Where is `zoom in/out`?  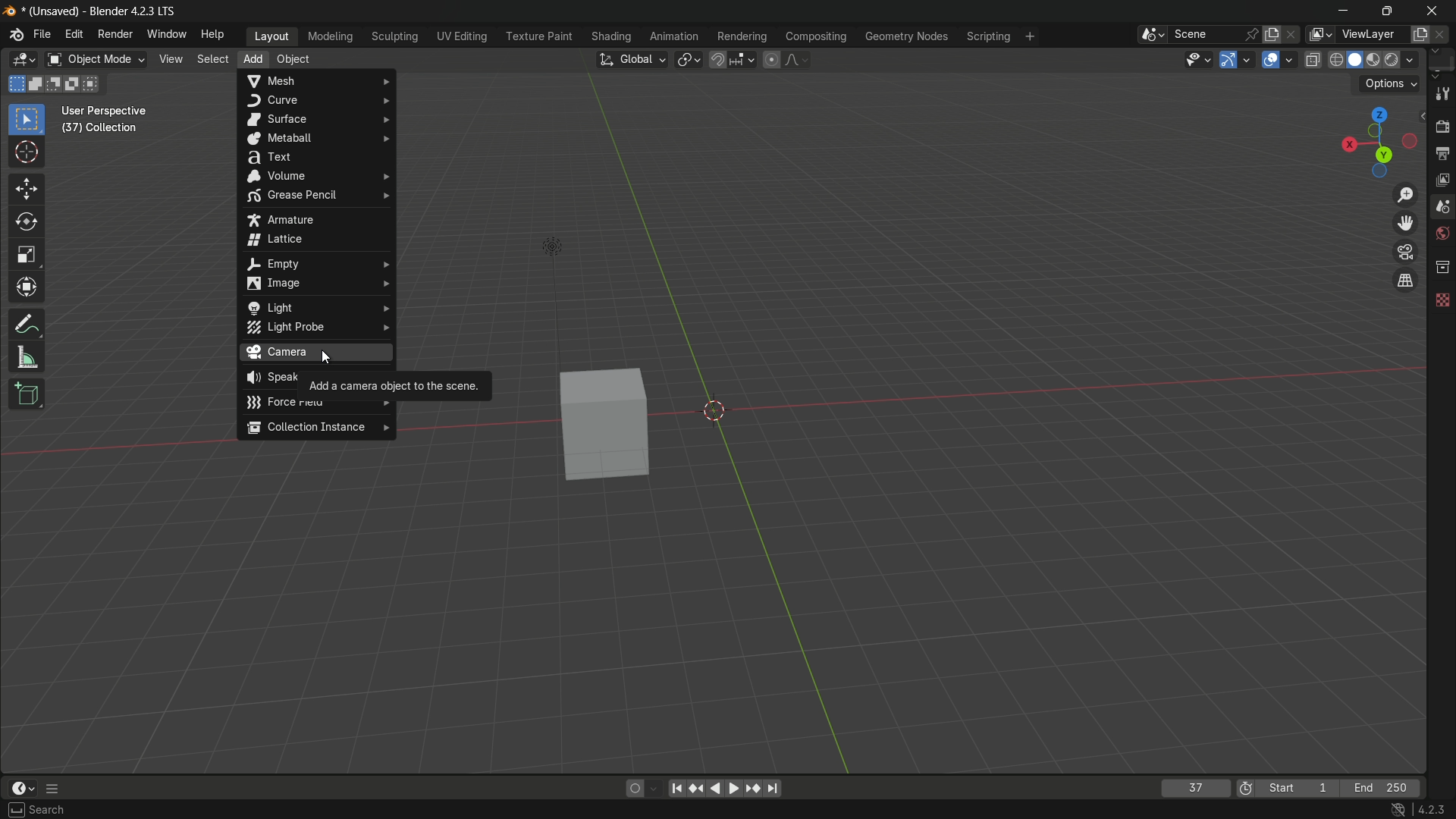 zoom in/out is located at coordinates (1405, 193).